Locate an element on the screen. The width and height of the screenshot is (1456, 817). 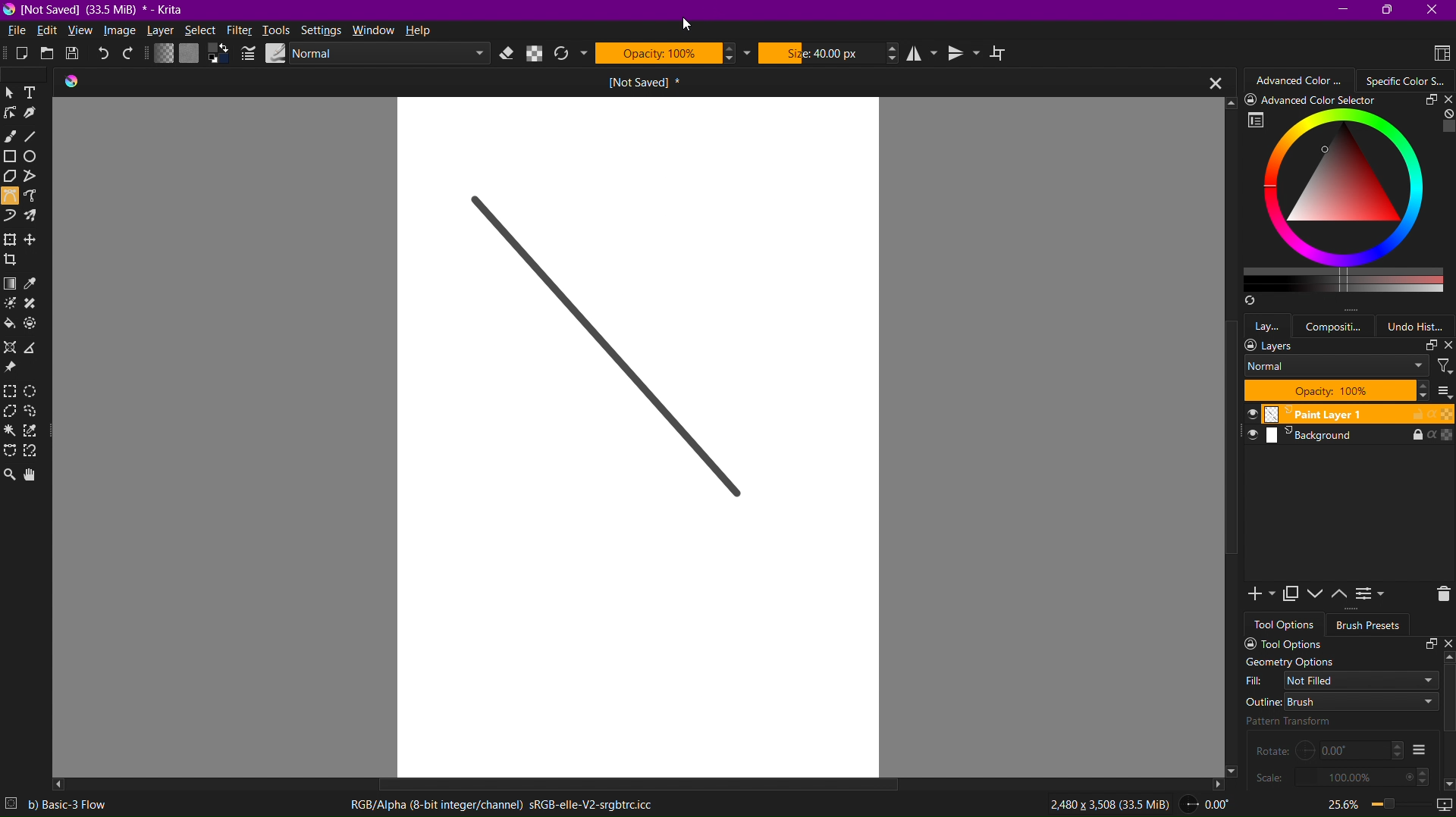
Horizontal Mirror Tool is located at coordinates (924, 53).